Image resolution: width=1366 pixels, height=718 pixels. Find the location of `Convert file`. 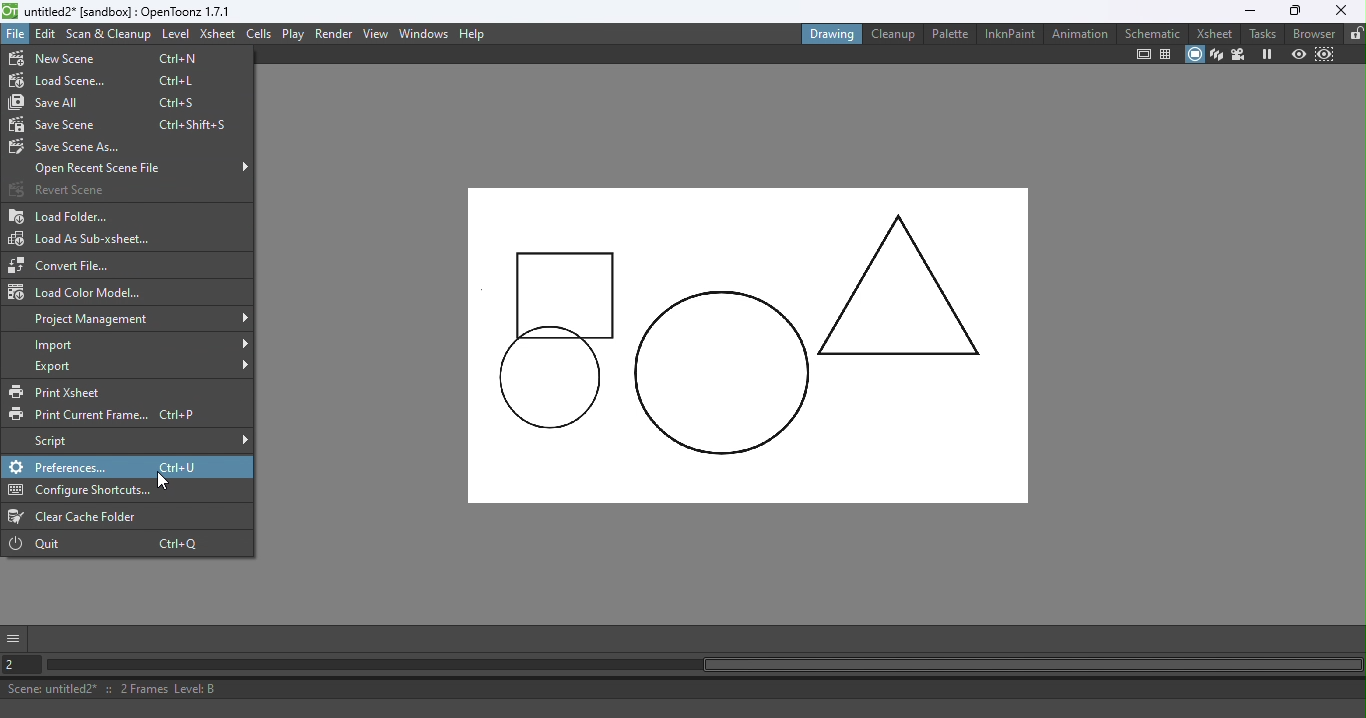

Convert file is located at coordinates (66, 265).